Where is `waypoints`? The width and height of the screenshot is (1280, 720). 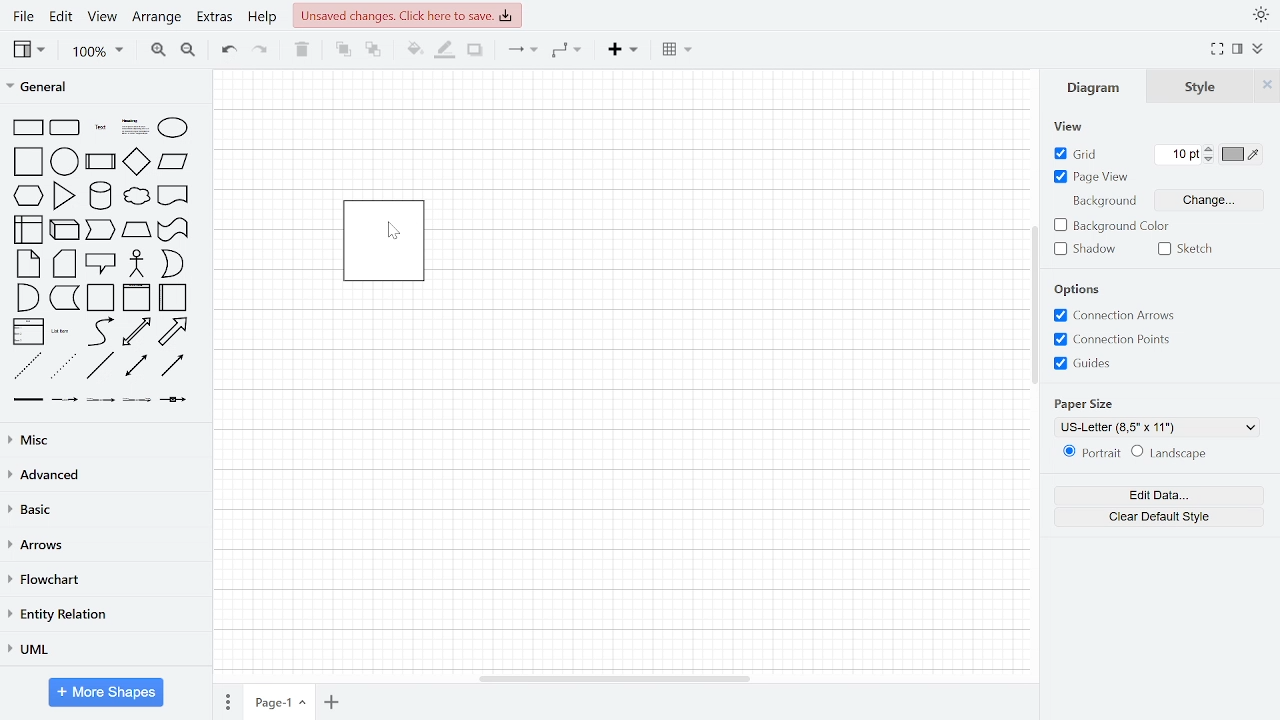
waypoints is located at coordinates (569, 51).